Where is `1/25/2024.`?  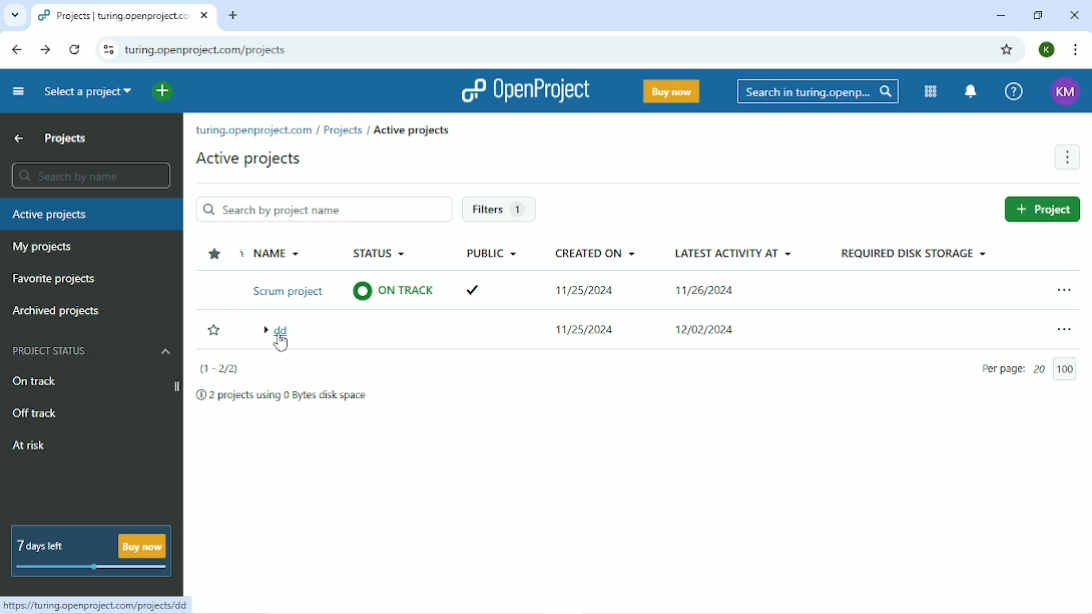 1/25/2024. is located at coordinates (586, 330).